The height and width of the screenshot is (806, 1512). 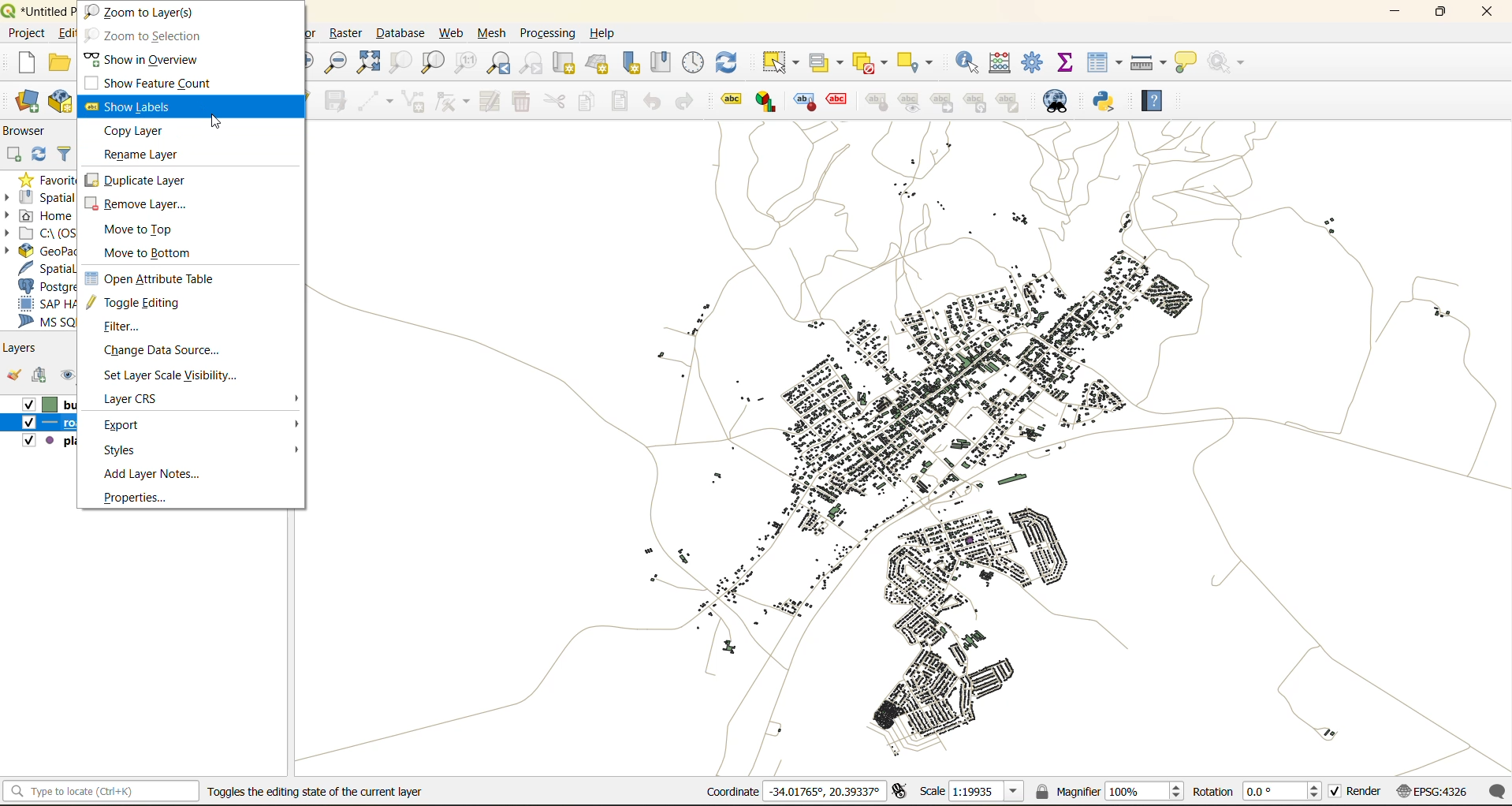 I want to click on undo, so click(x=655, y=102).